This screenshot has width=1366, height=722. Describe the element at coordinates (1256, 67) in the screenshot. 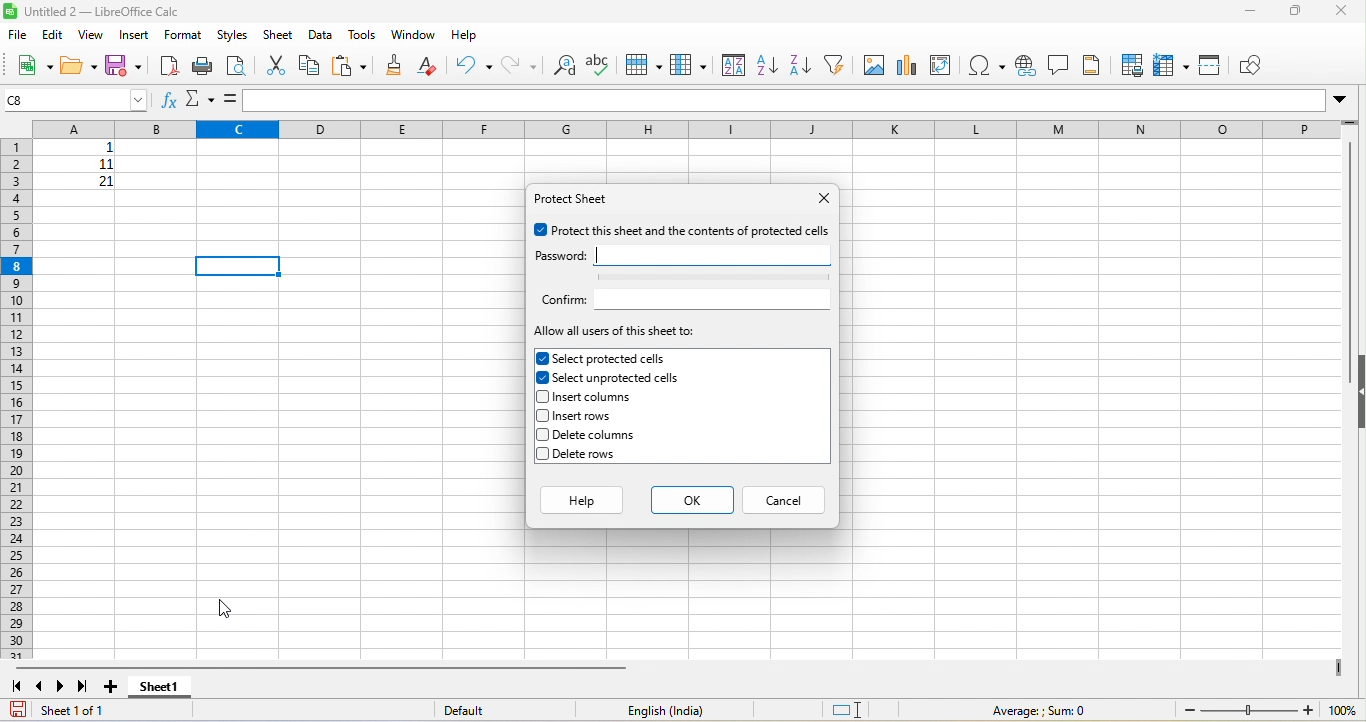

I see `show draw function` at that location.